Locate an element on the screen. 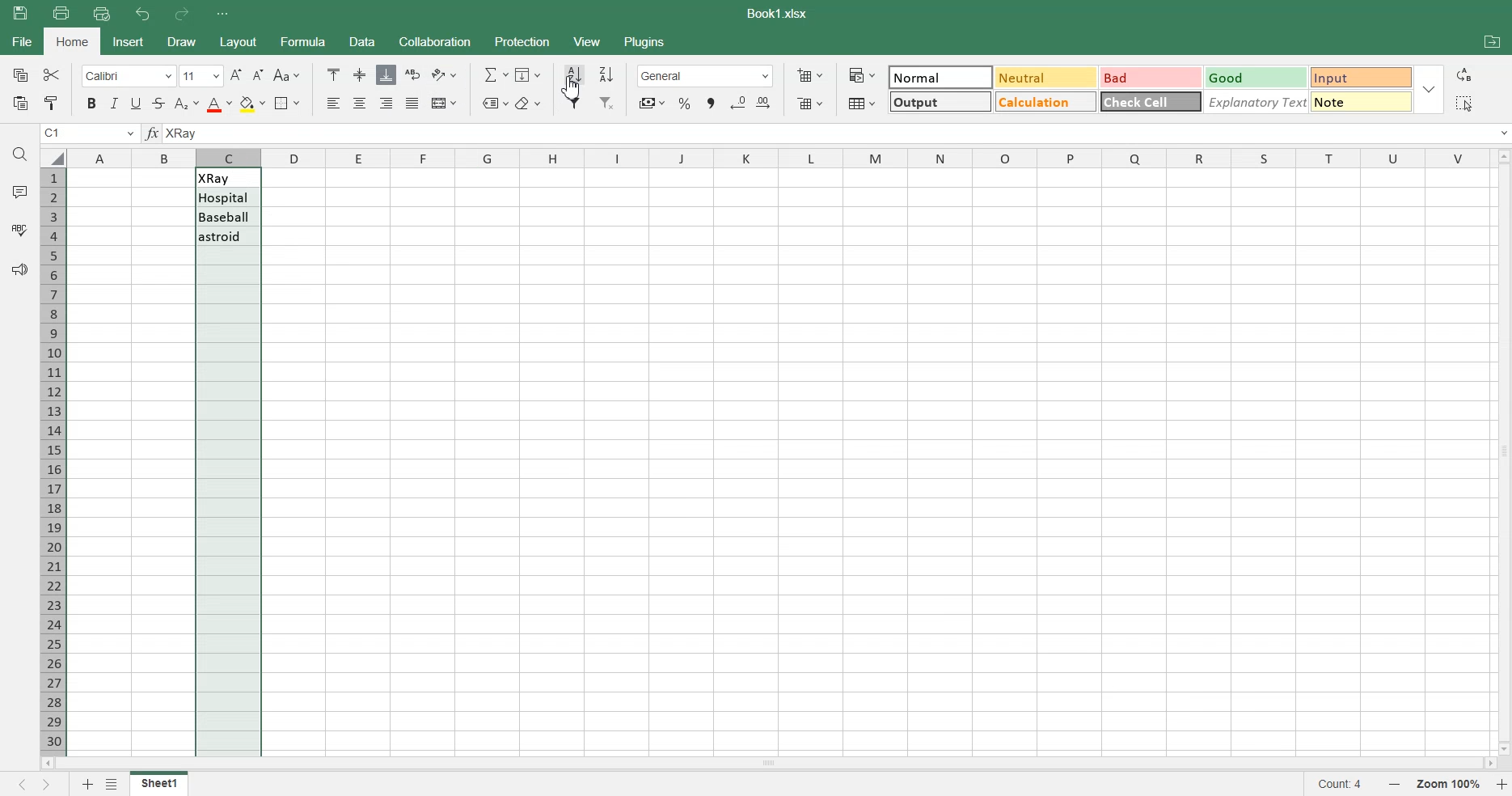 The image size is (1512, 796). Vertical scroll bar is located at coordinates (1502, 450).